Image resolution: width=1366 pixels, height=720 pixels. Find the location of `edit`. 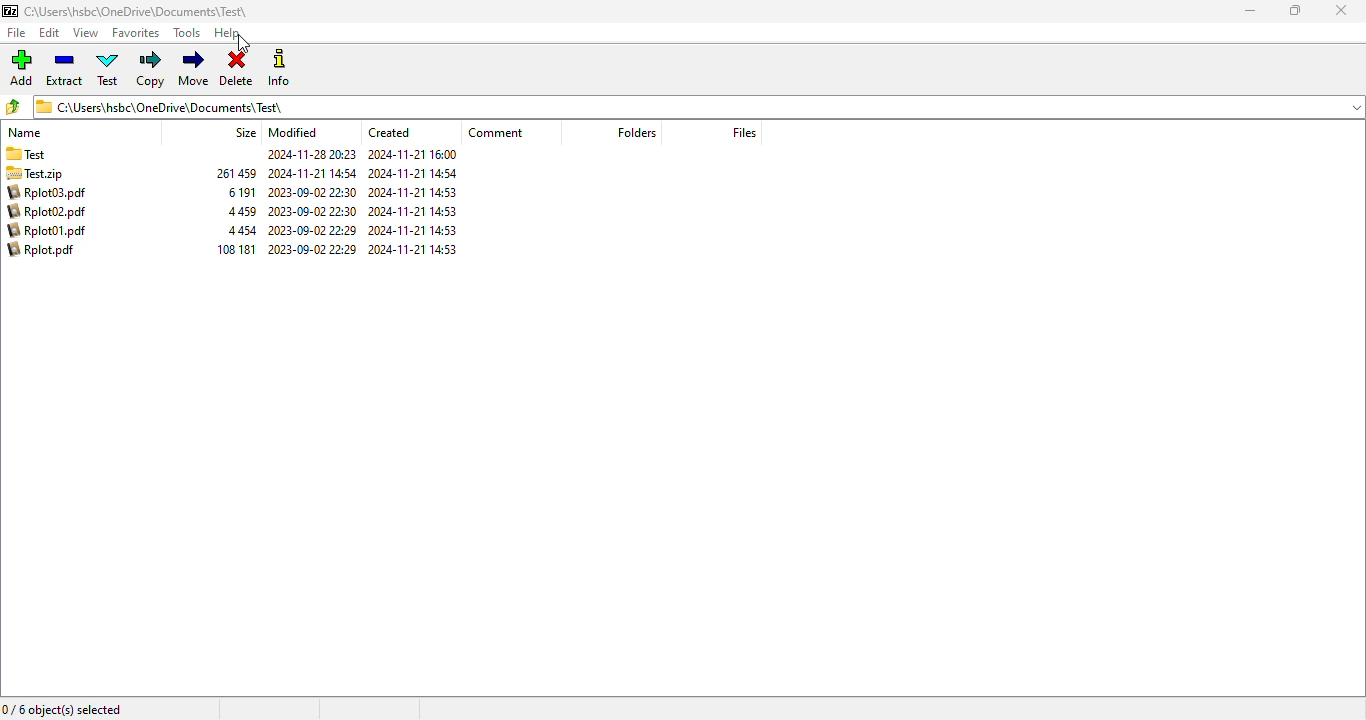

edit is located at coordinates (49, 33).